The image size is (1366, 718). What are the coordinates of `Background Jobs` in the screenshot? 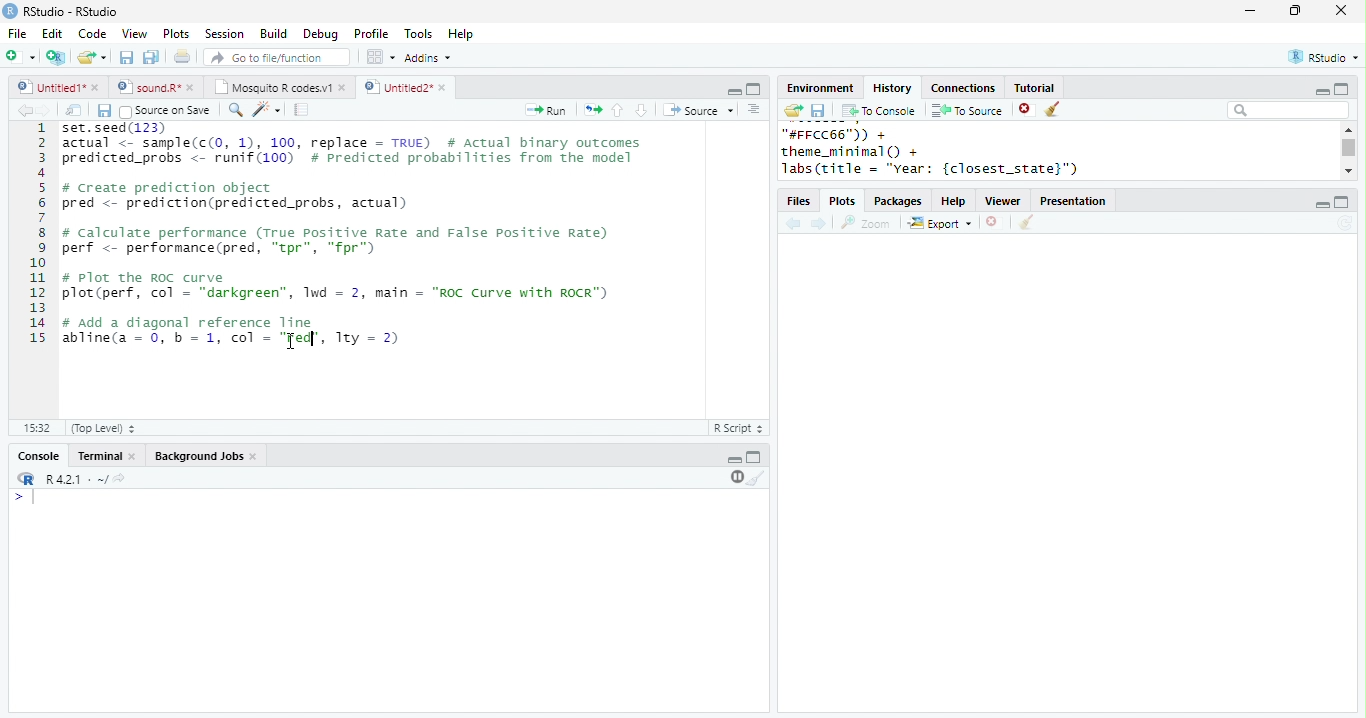 It's located at (198, 456).